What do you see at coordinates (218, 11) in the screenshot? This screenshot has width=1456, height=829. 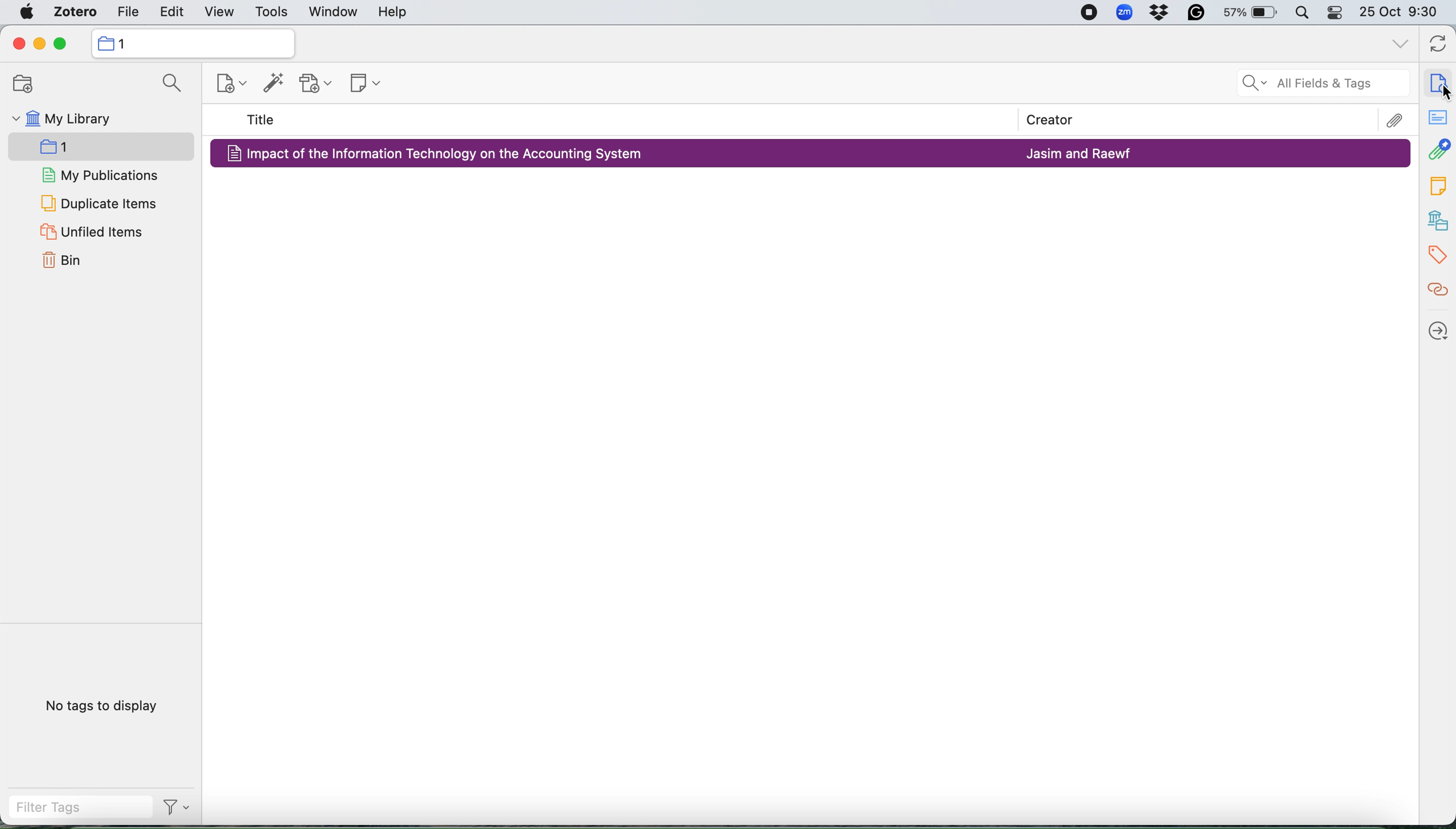 I see `view` at bounding box center [218, 11].